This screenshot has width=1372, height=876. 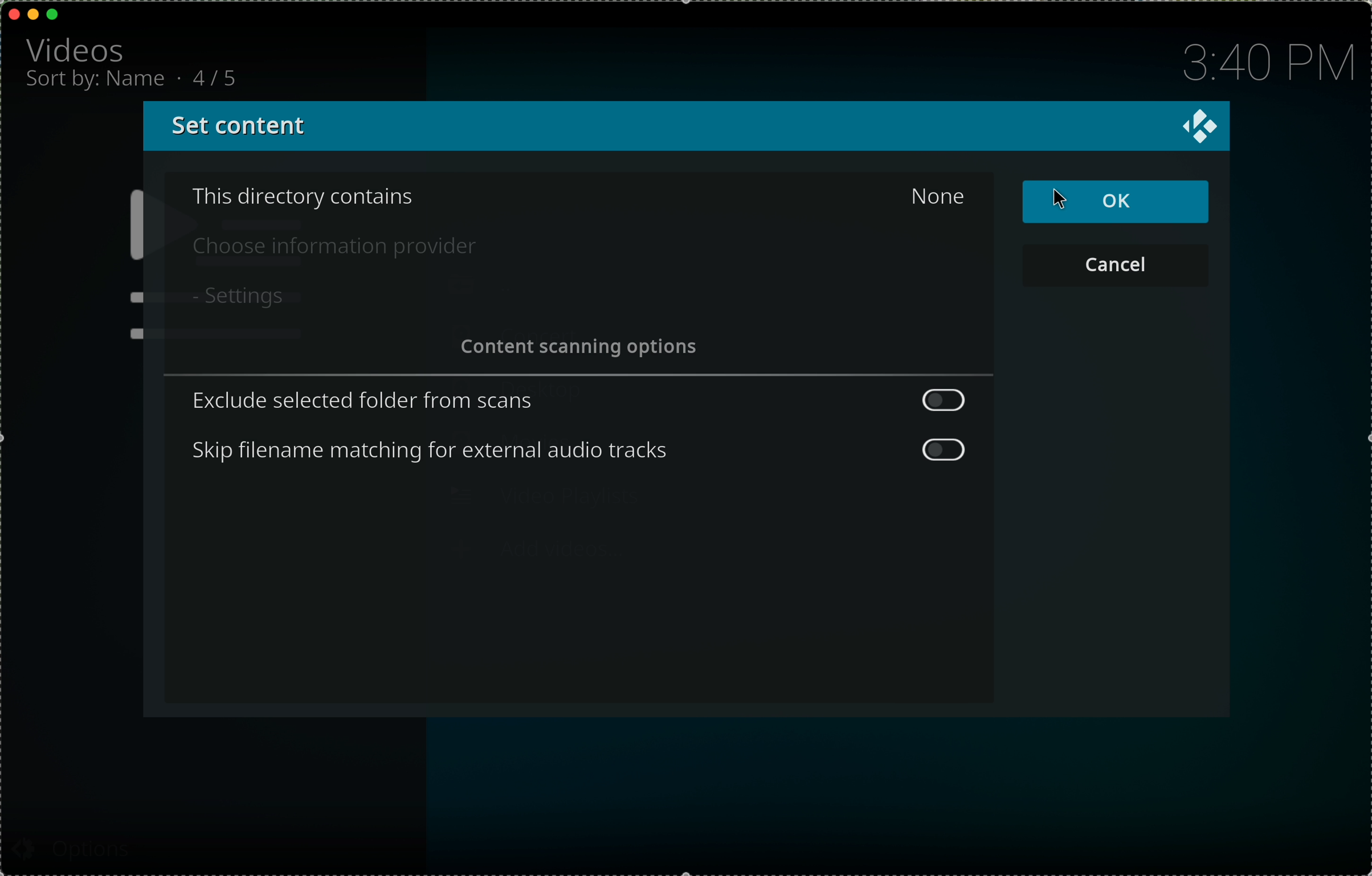 I want to click on click on OK button, so click(x=1117, y=203).